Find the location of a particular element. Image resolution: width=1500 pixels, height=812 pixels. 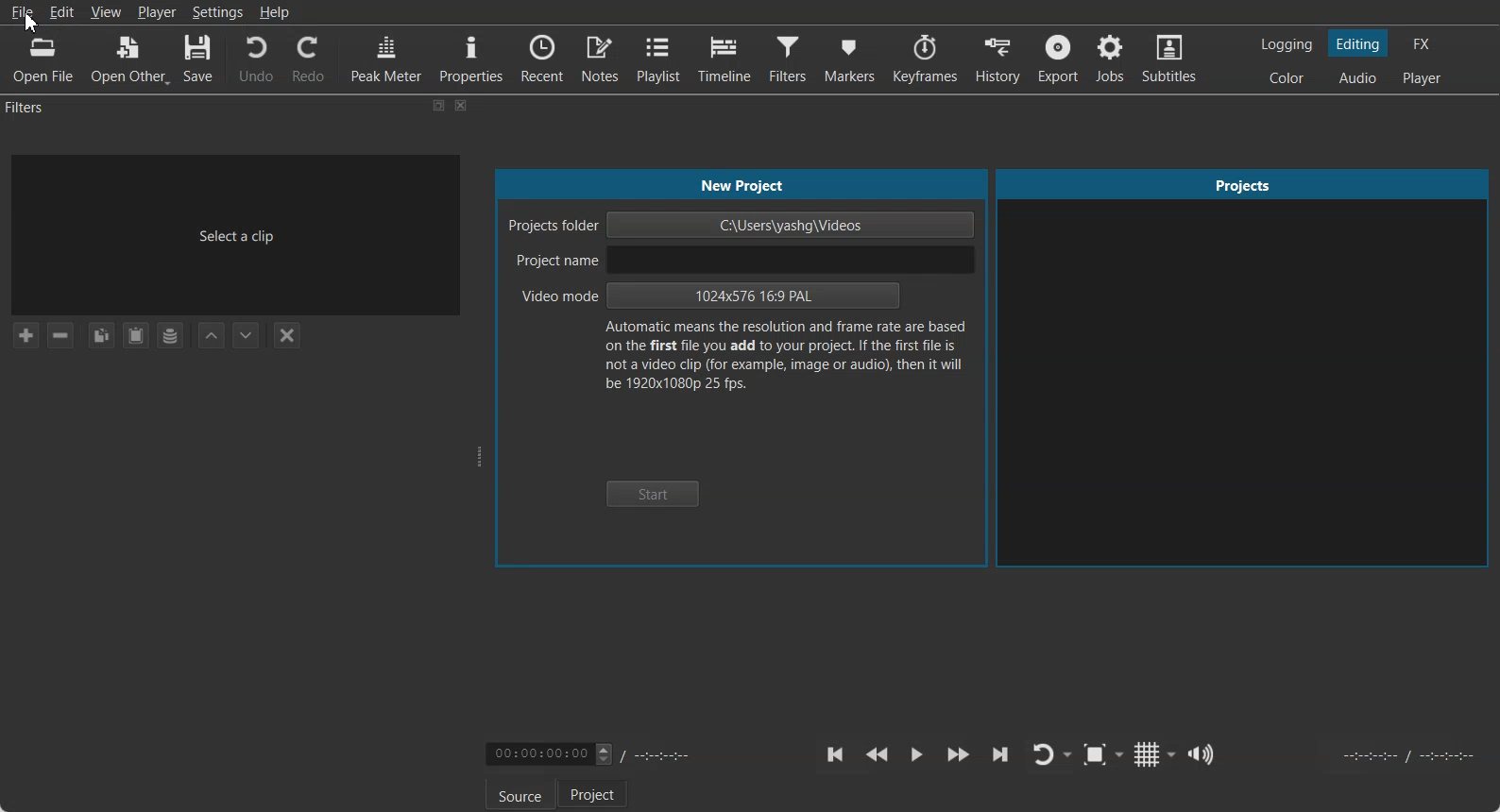

Subtitles is located at coordinates (1171, 59).